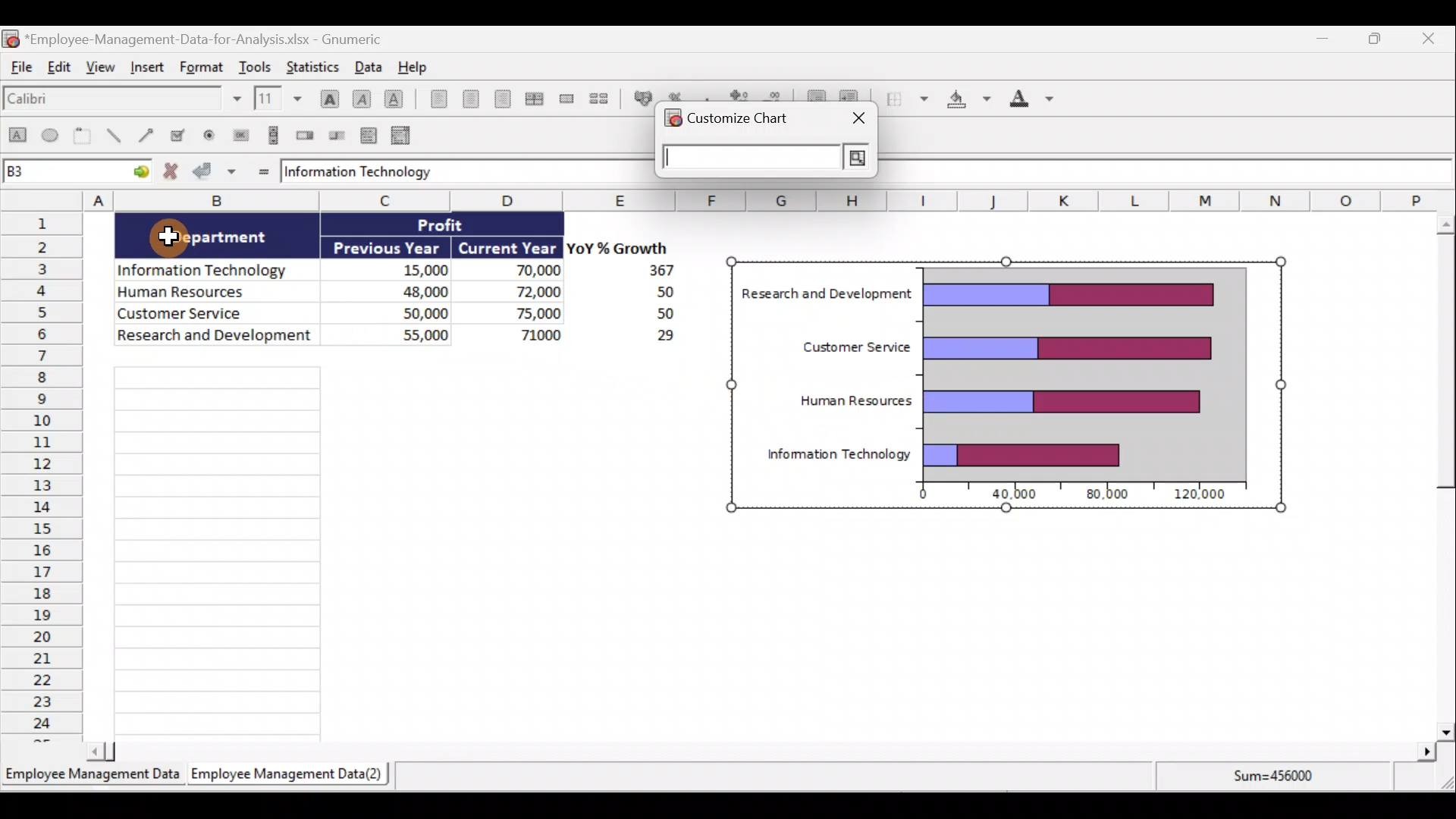 Image resolution: width=1456 pixels, height=819 pixels. I want to click on Data, so click(388, 284).